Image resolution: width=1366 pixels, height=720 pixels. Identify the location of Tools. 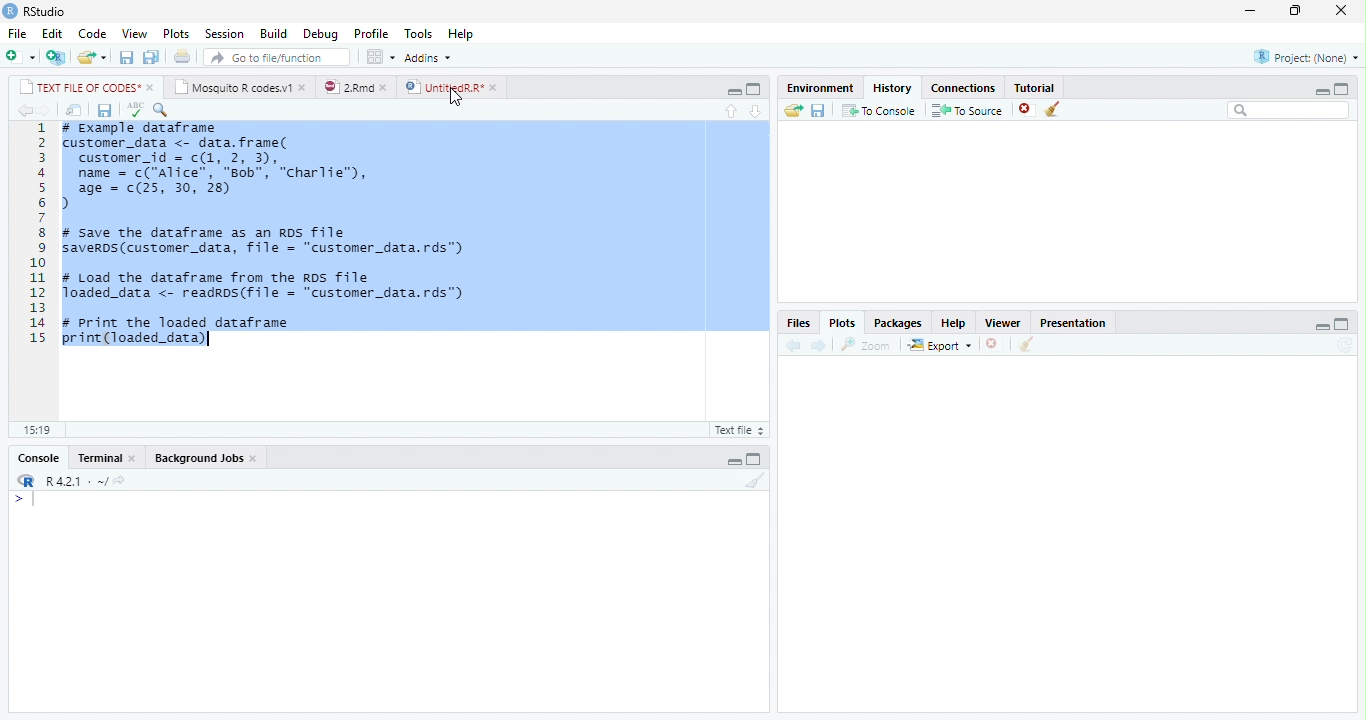
(418, 32).